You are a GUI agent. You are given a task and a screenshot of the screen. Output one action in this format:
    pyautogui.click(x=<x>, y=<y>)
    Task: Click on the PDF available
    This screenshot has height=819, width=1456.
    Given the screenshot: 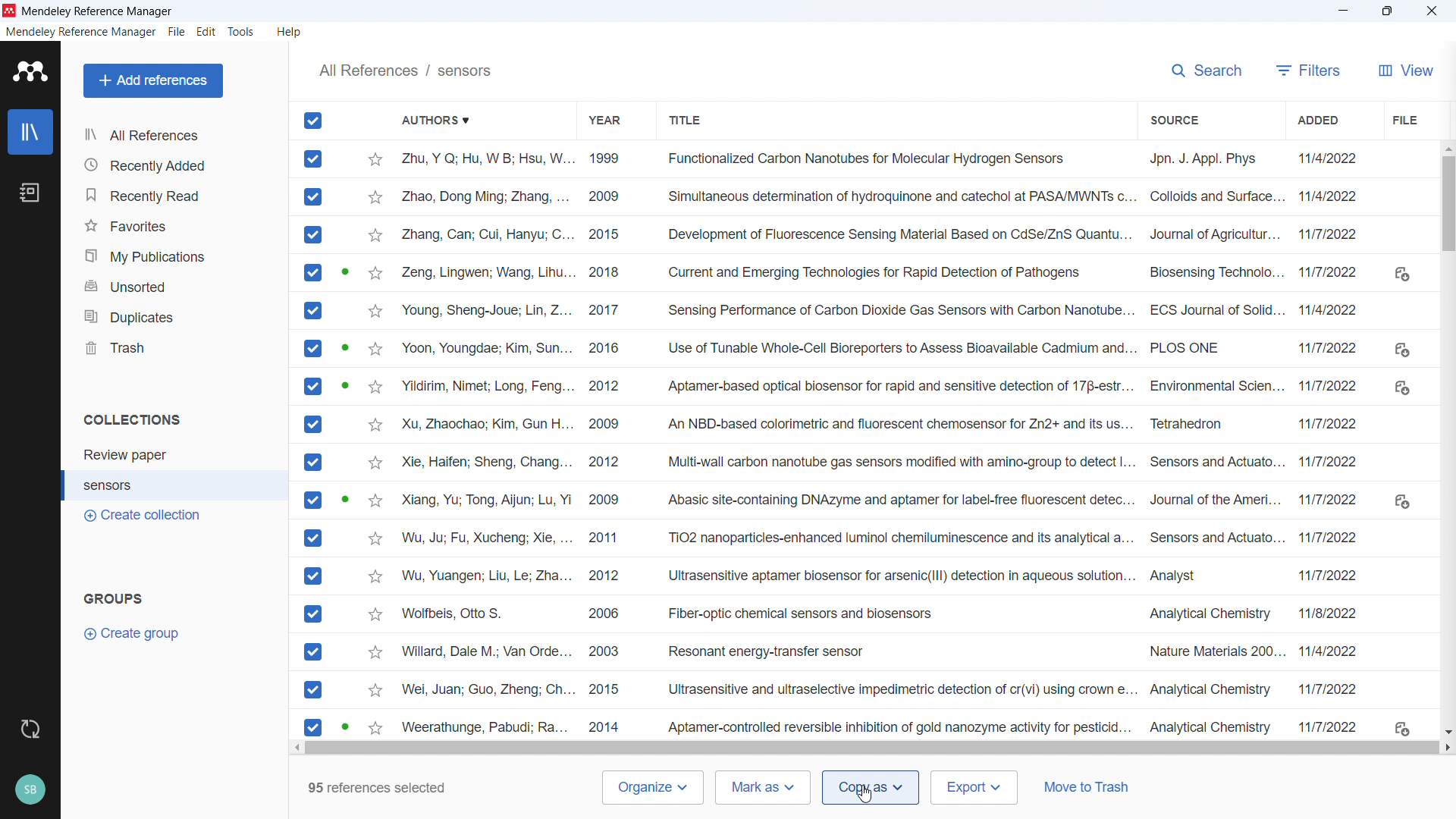 What is the action you would take?
    pyautogui.click(x=347, y=271)
    